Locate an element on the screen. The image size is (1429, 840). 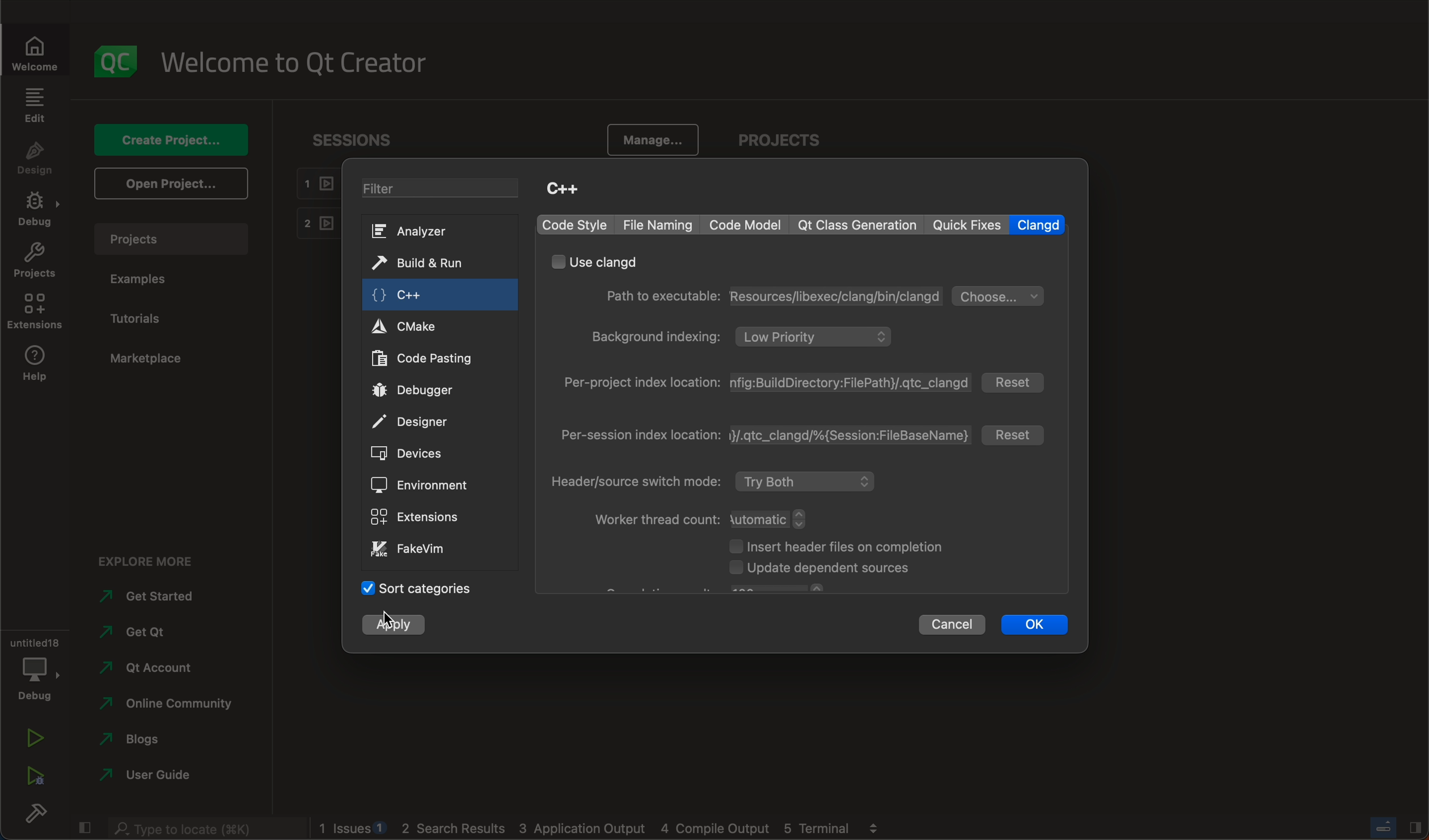
worker thread is located at coordinates (703, 518).